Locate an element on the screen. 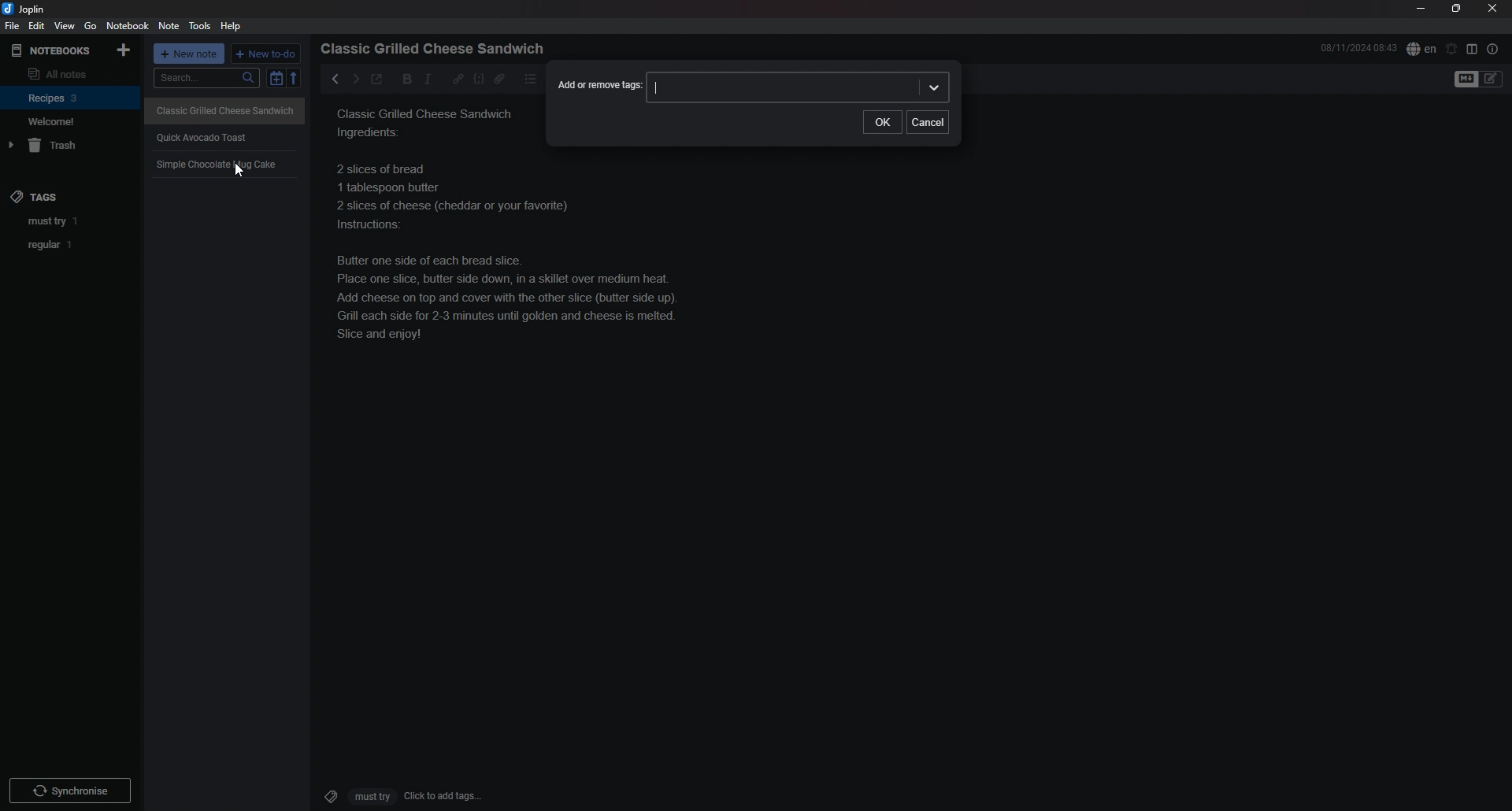 This screenshot has width=1512, height=811. toggle external editor is located at coordinates (376, 81).